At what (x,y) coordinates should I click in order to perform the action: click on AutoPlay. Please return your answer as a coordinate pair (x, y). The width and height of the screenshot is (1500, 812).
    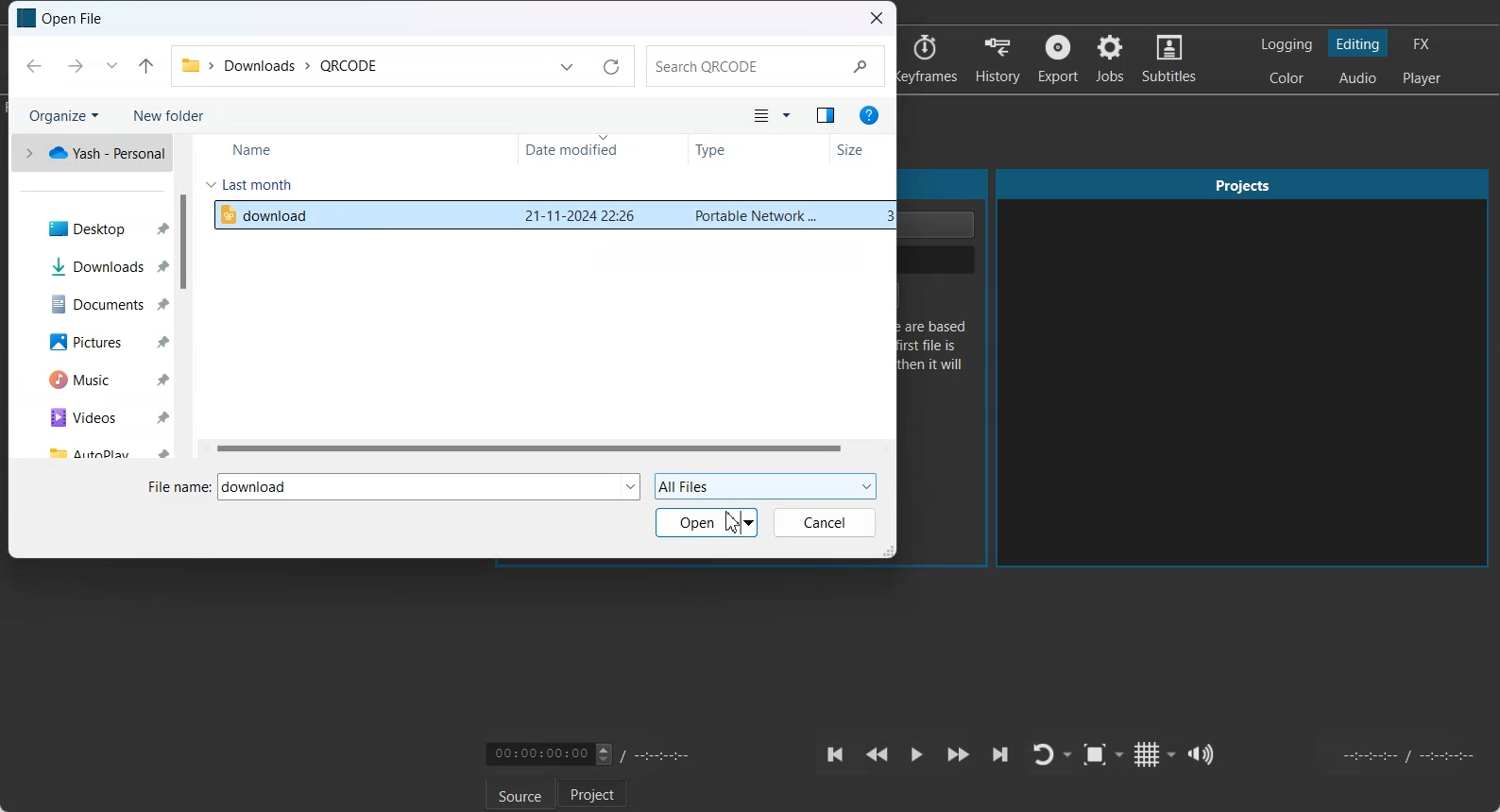
    Looking at the image, I should click on (92, 450).